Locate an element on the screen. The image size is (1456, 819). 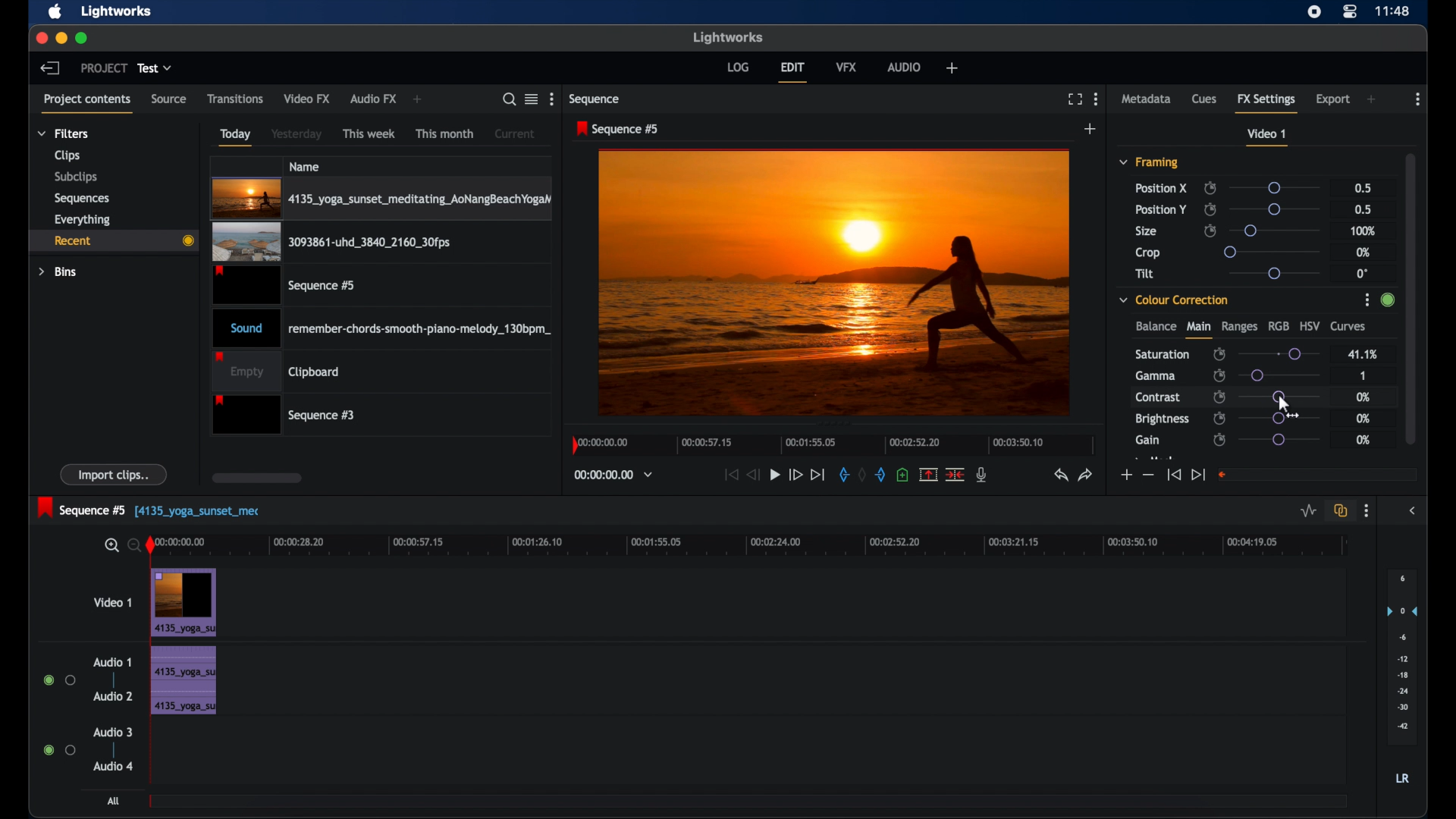
slider is located at coordinates (1279, 418).